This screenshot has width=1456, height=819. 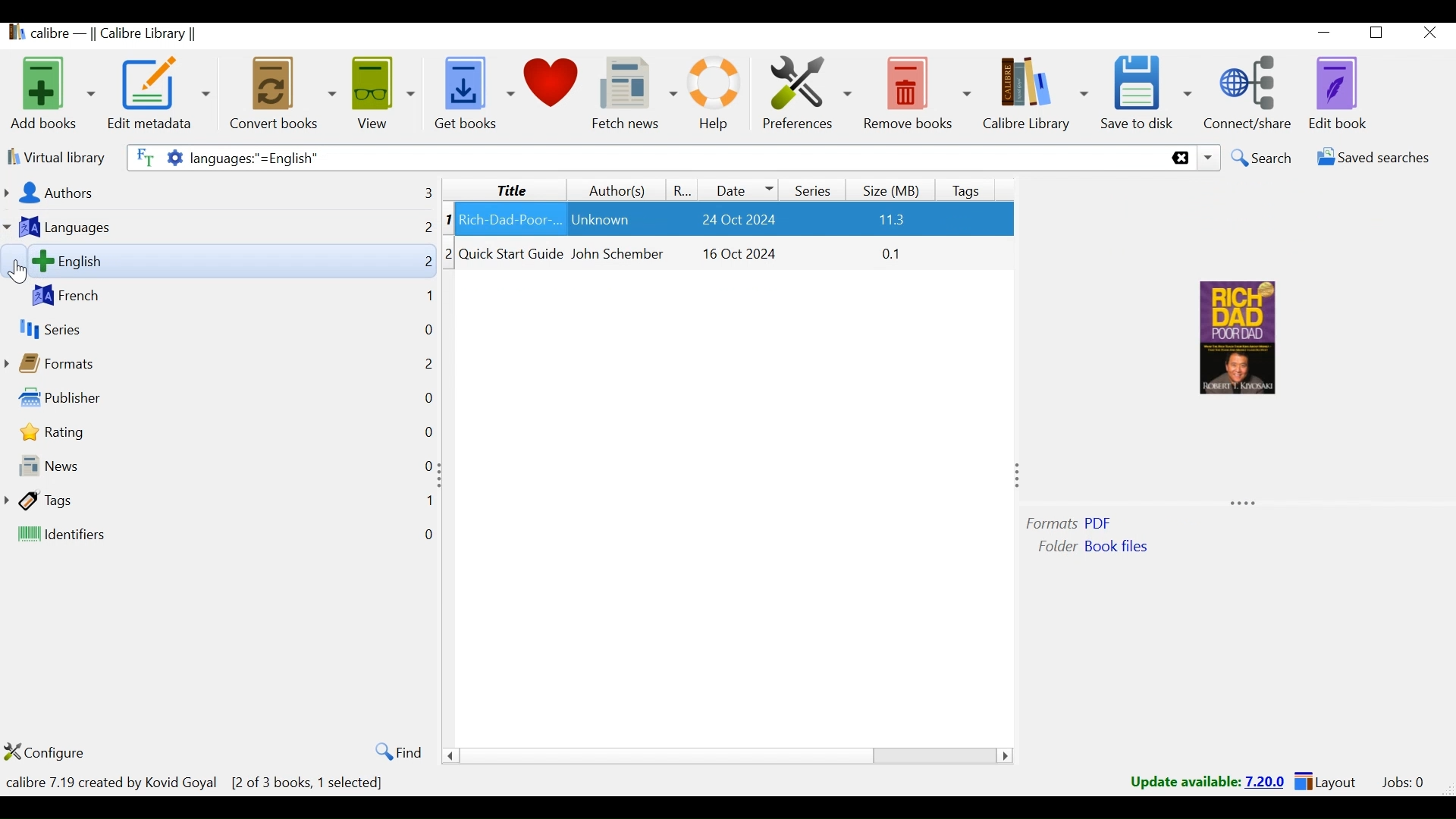 What do you see at coordinates (453, 252) in the screenshot?
I see `2` at bounding box center [453, 252].